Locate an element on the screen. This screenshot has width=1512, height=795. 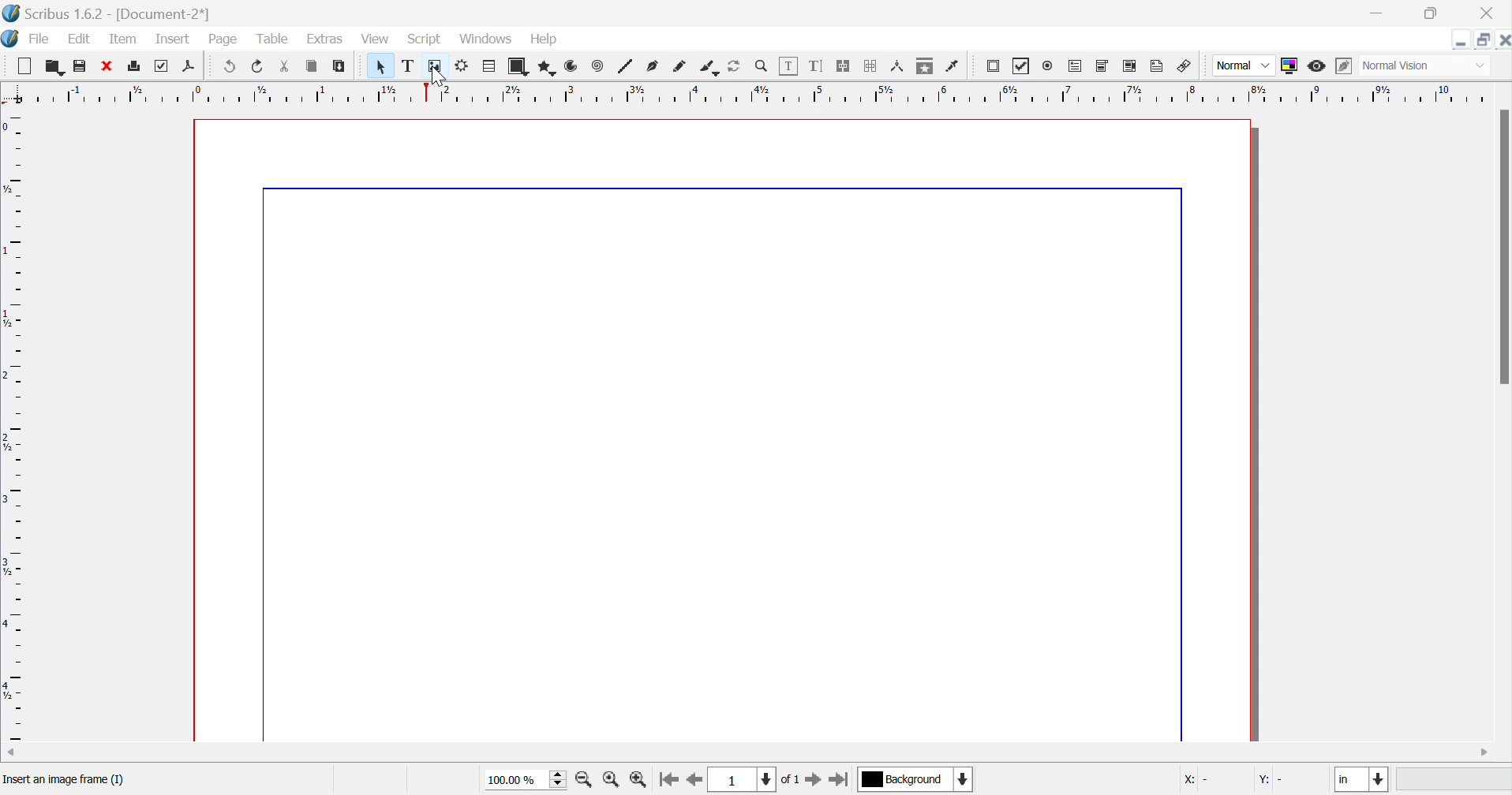
table is located at coordinates (488, 64).